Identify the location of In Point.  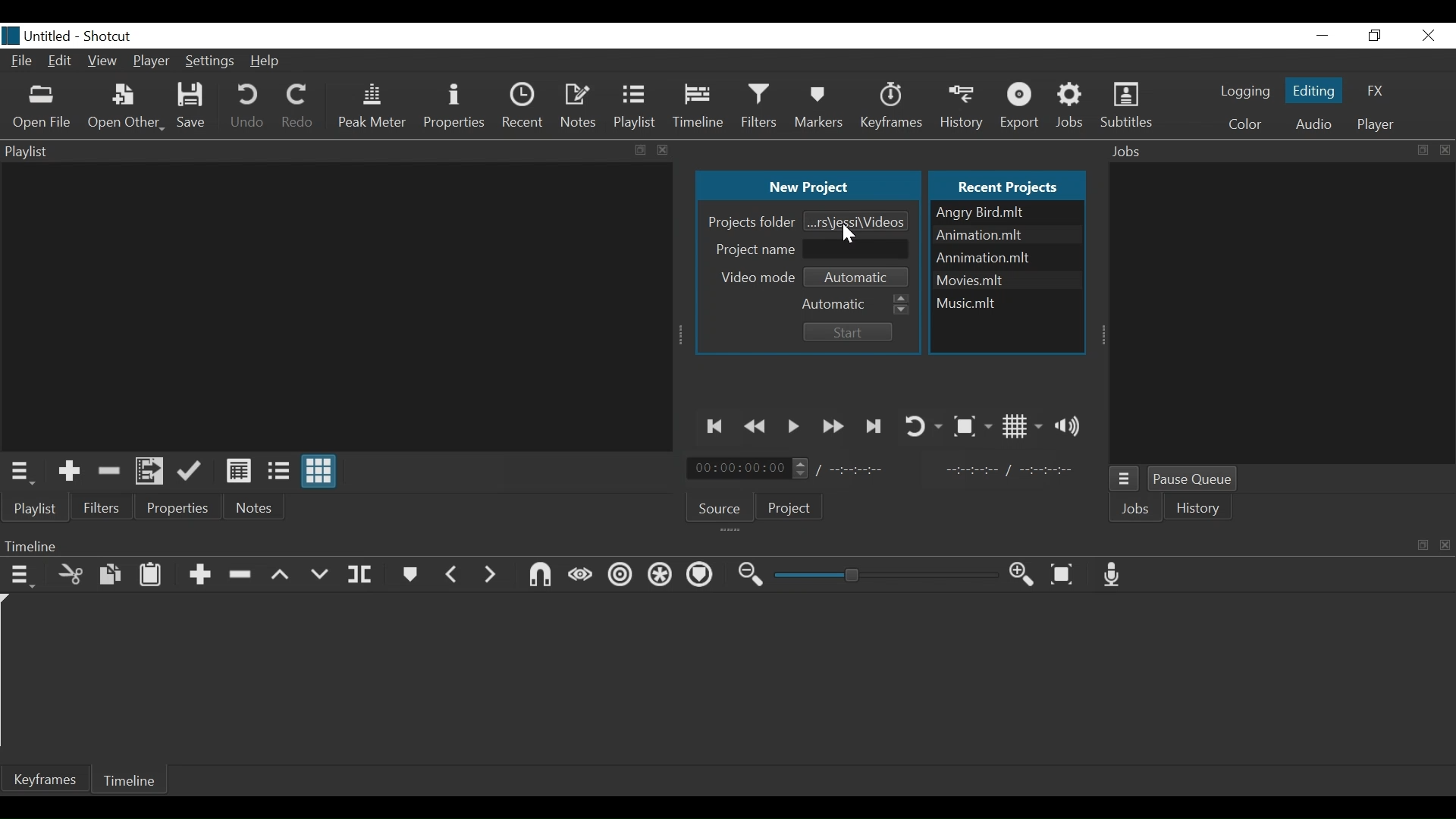
(1009, 470).